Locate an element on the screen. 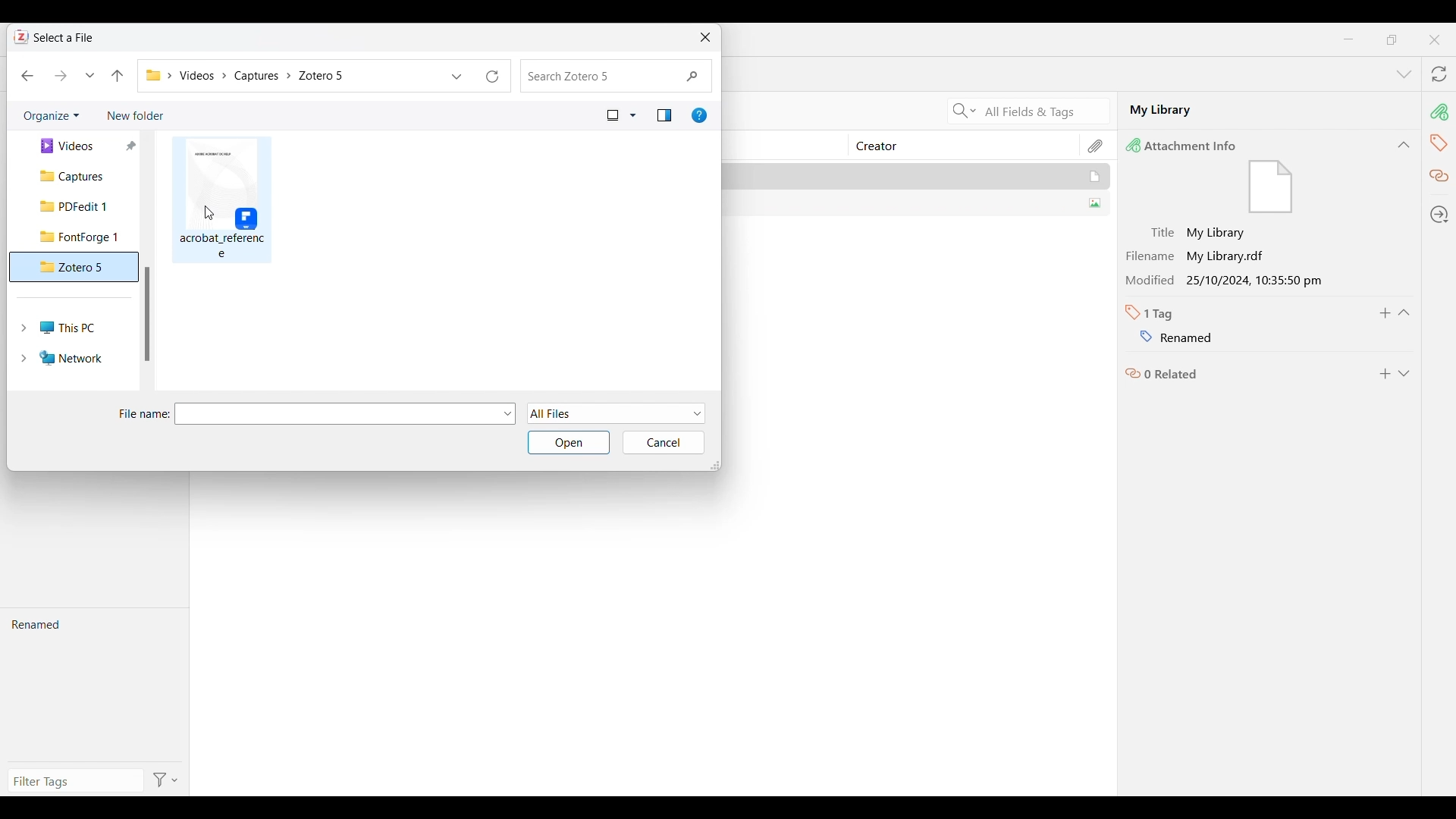  Filename My Library.rdf is located at coordinates (1203, 253).